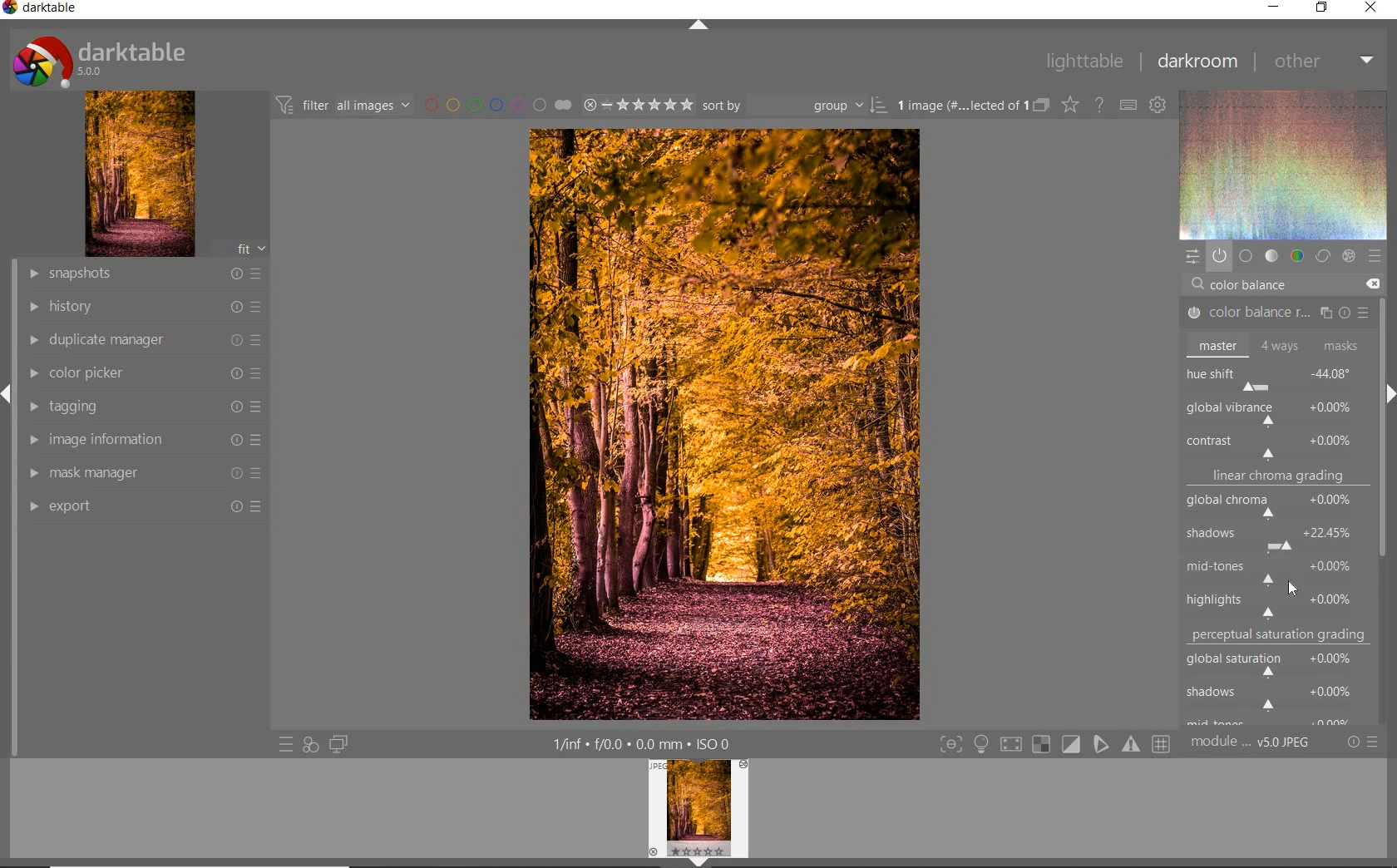 The height and width of the screenshot is (868, 1397). I want to click on quick access to preset, so click(285, 742).